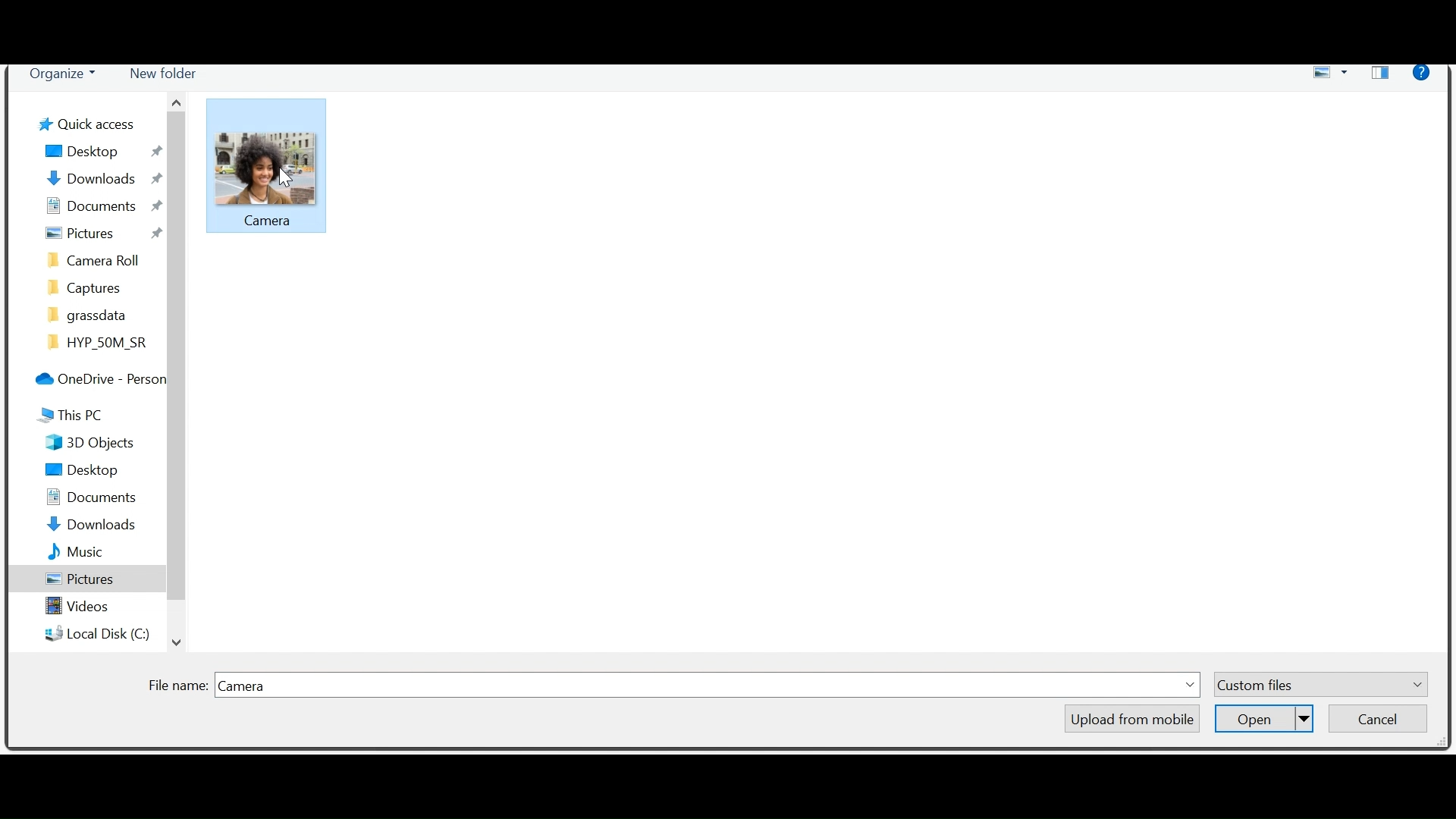 The image size is (1456, 819). What do you see at coordinates (1421, 75) in the screenshot?
I see `Help menu` at bounding box center [1421, 75].